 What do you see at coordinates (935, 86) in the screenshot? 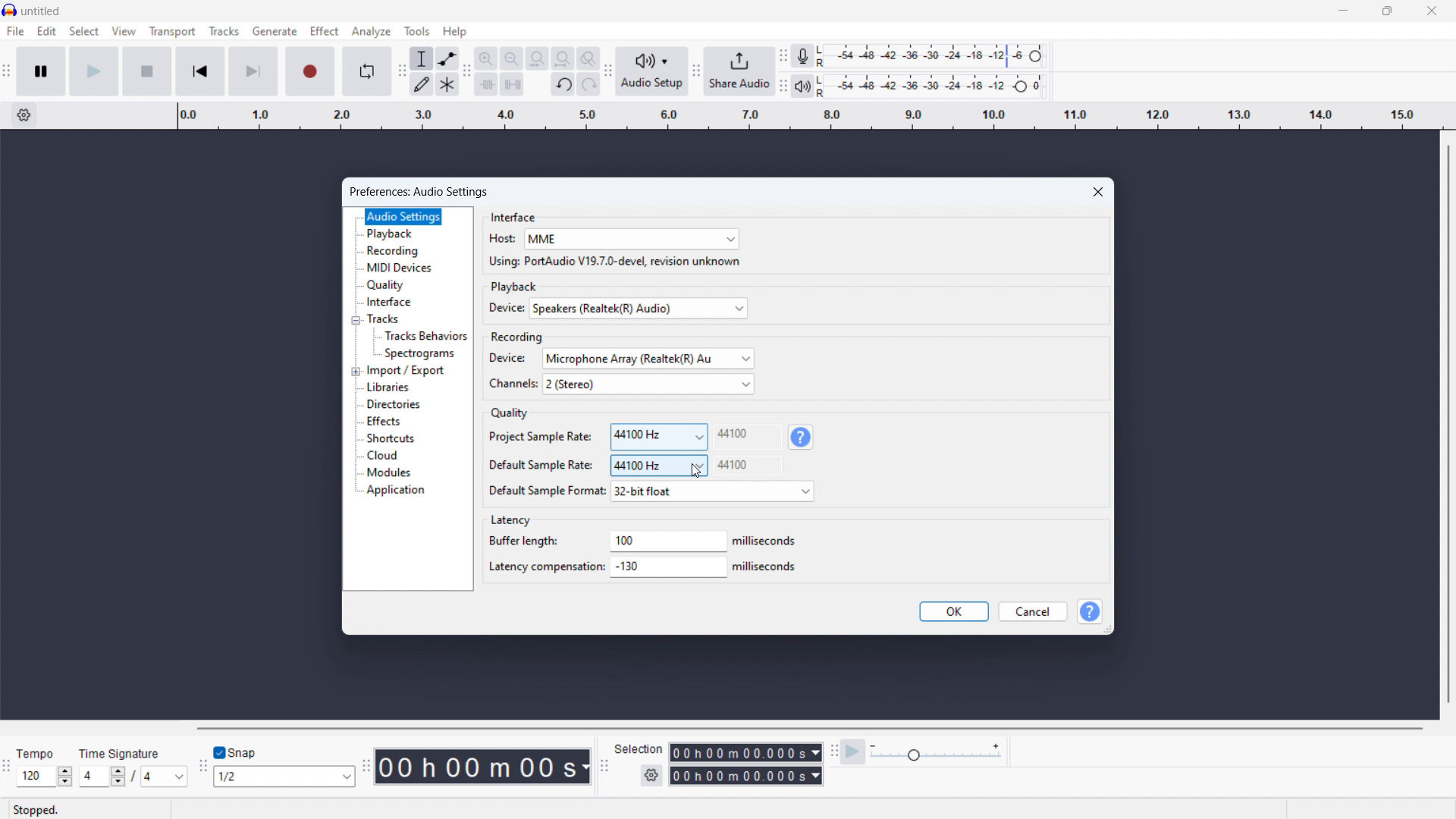
I see `playback level` at bounding box center [935, 86].